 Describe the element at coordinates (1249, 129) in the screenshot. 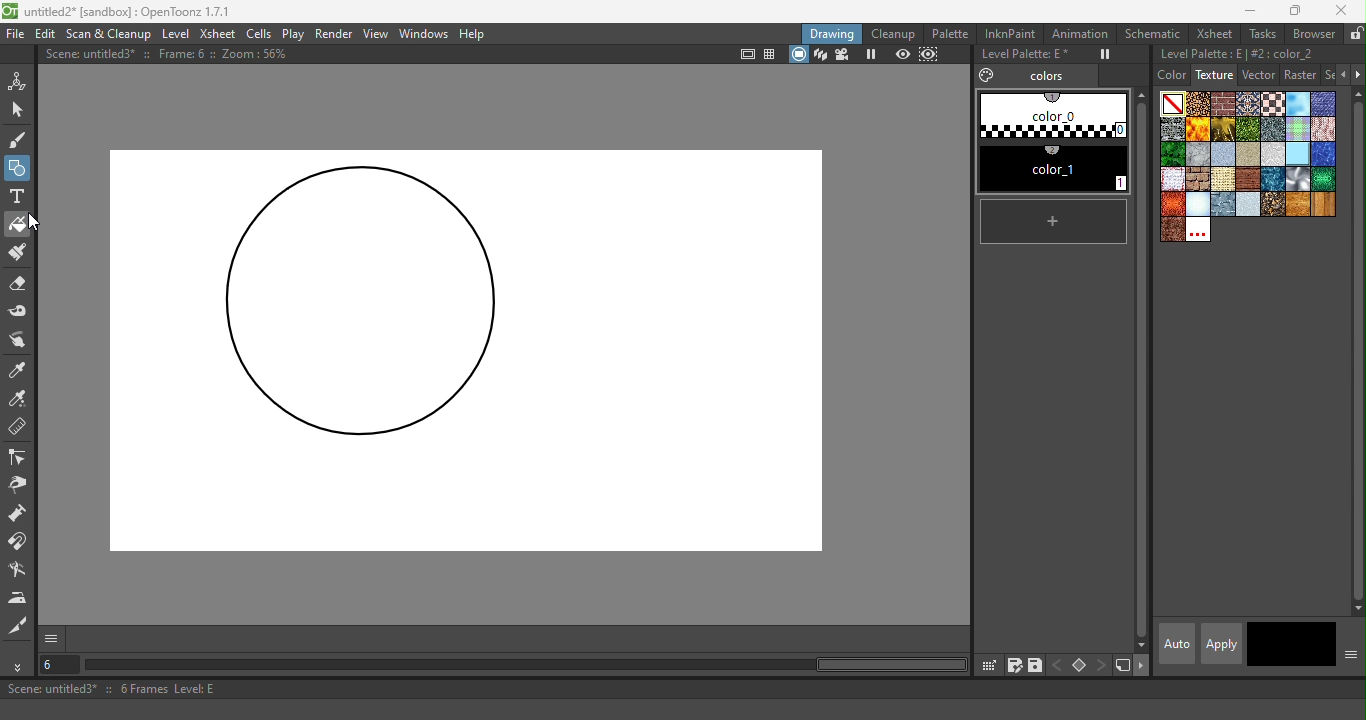

I see `Grass.bmp` at that location.